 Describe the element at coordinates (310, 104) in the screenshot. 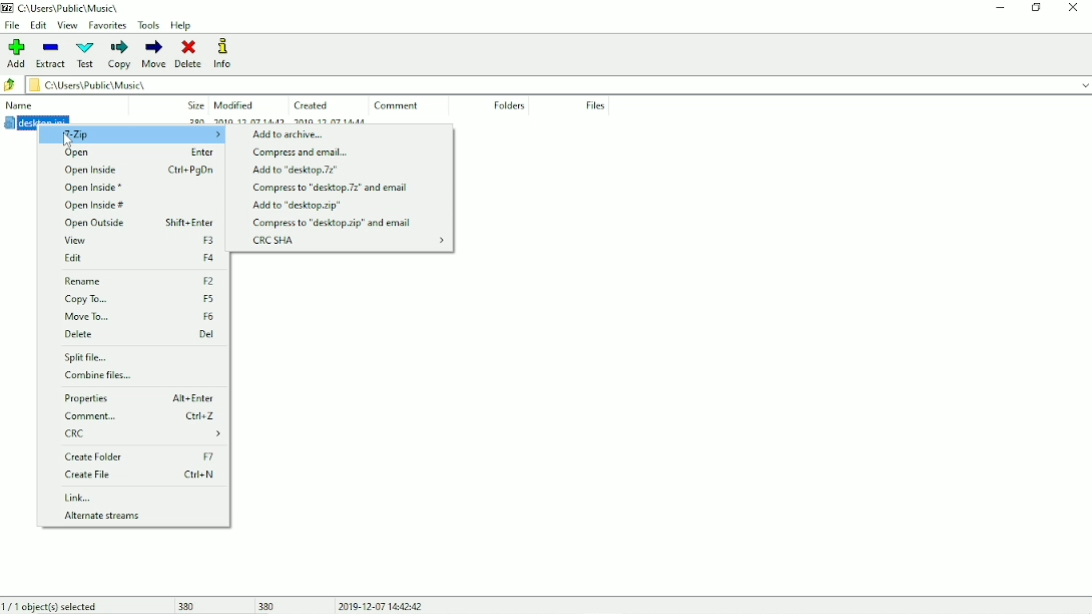

I see `Created` at that location.